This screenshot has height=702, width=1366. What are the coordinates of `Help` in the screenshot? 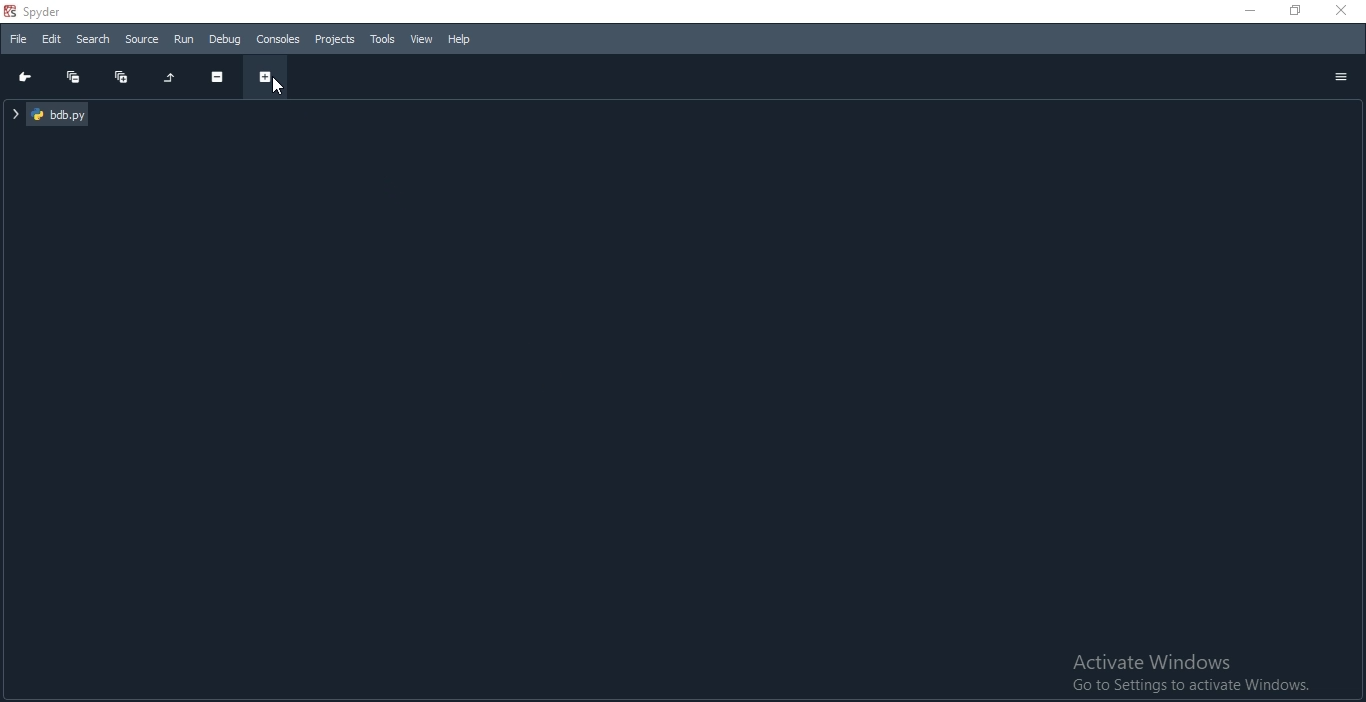 It's located at (460, 39).